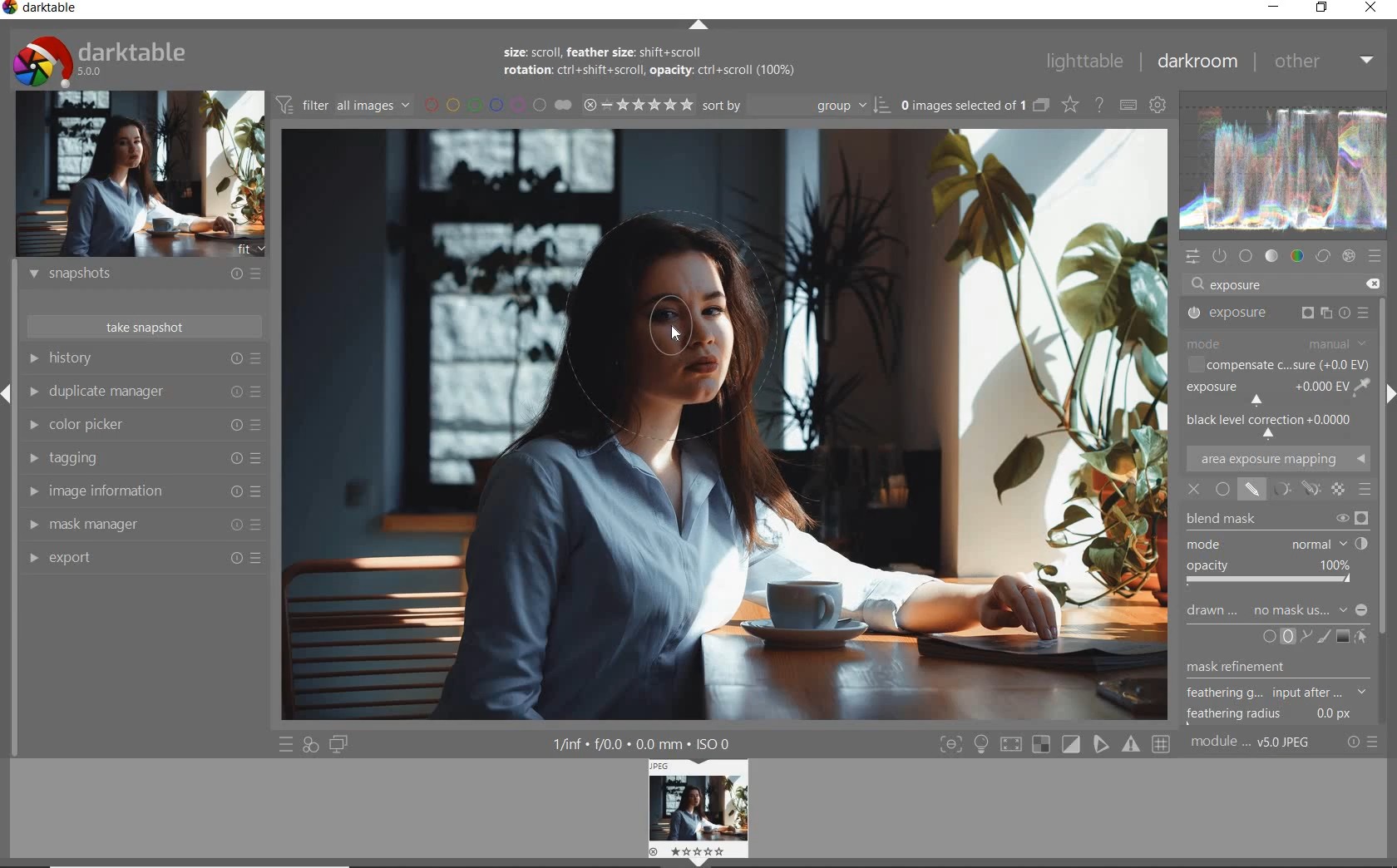  What do you see at coordinates (1291, 489) in the screenshot?
I see `MASK OPTIONS` at bounding box center [1291, 489].